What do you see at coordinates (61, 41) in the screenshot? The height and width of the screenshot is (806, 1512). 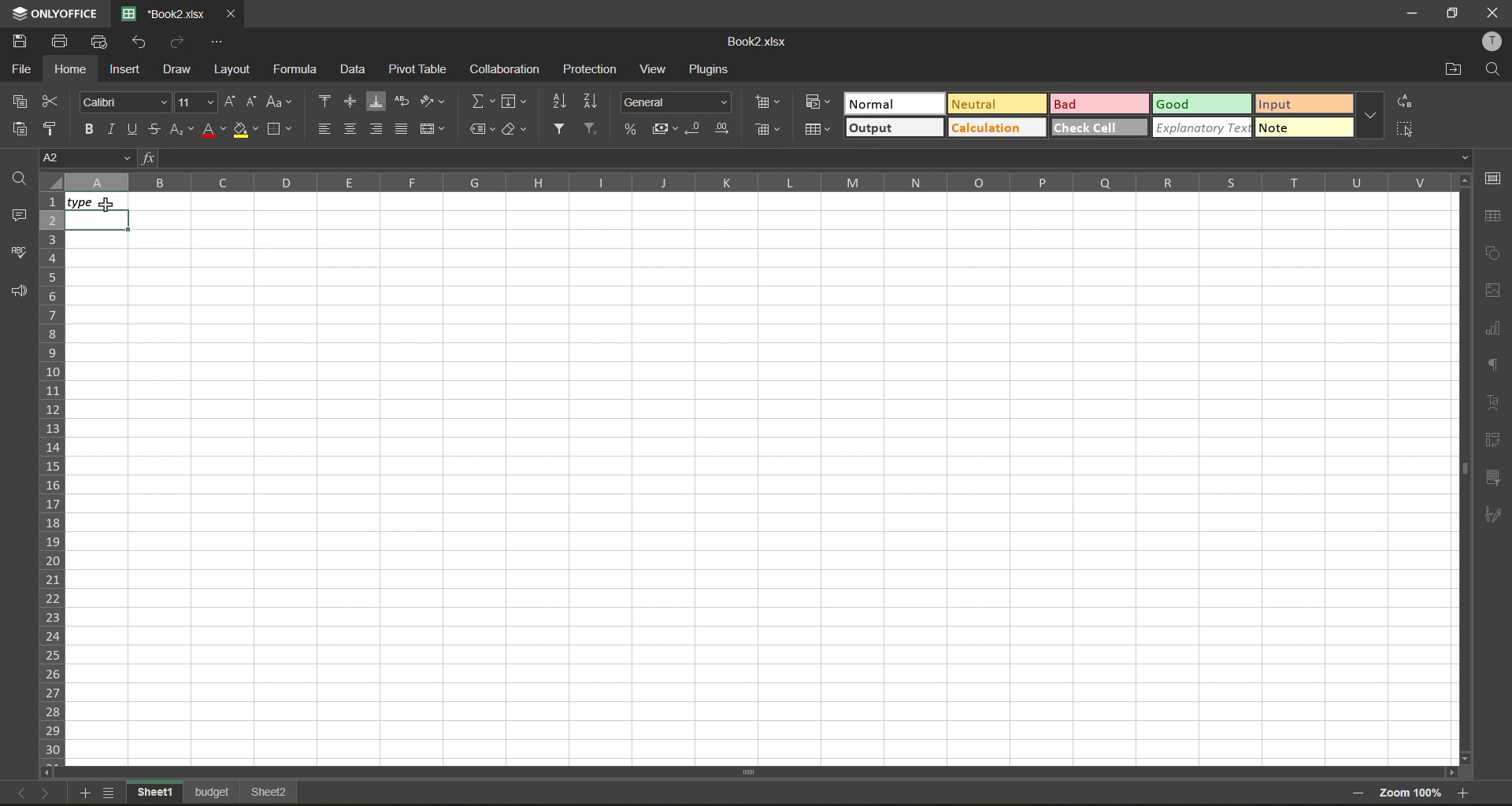 I see `print` at bounding box center [61, 41].